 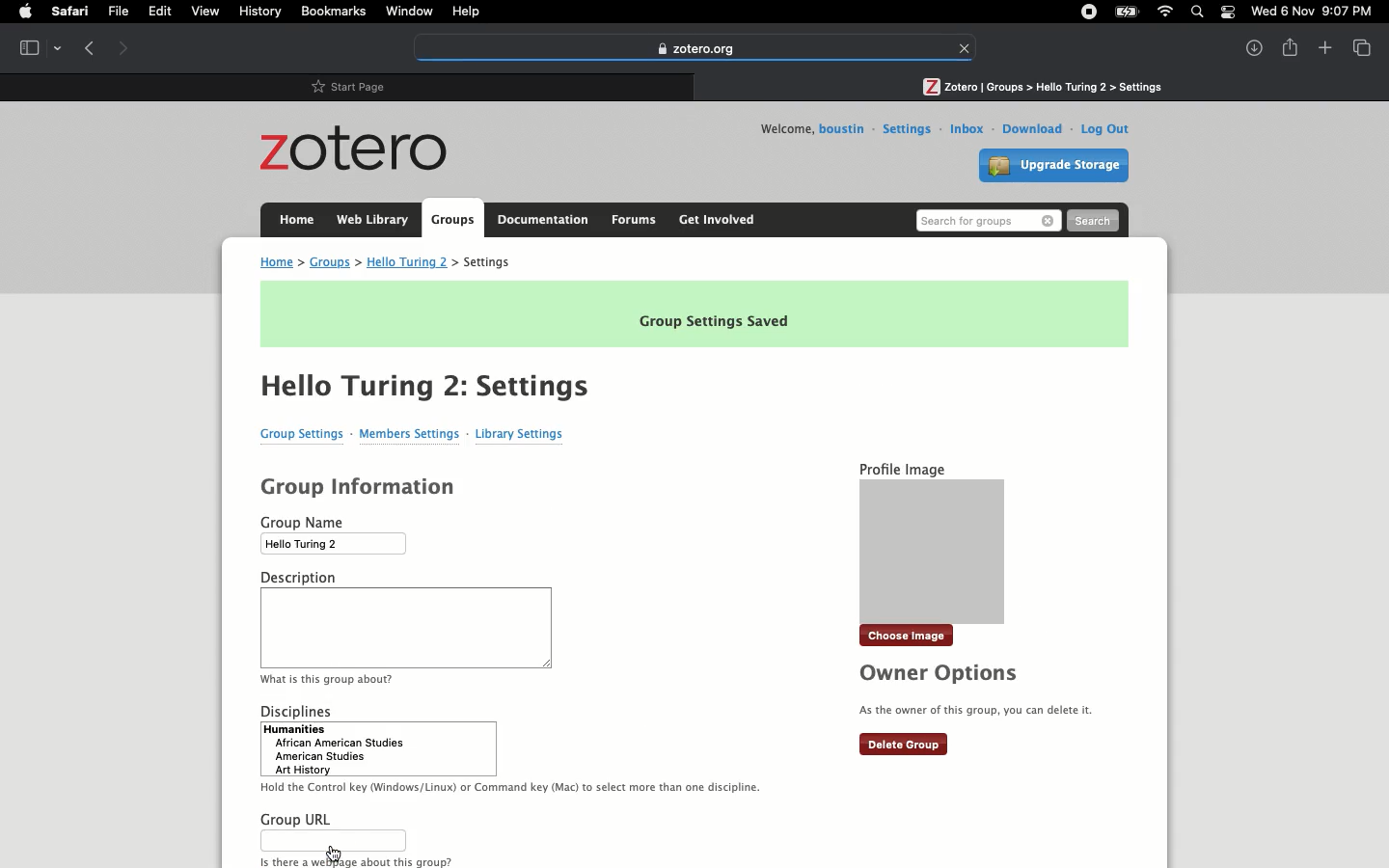 I want to click on Group URL, so click(x=357, y=838).